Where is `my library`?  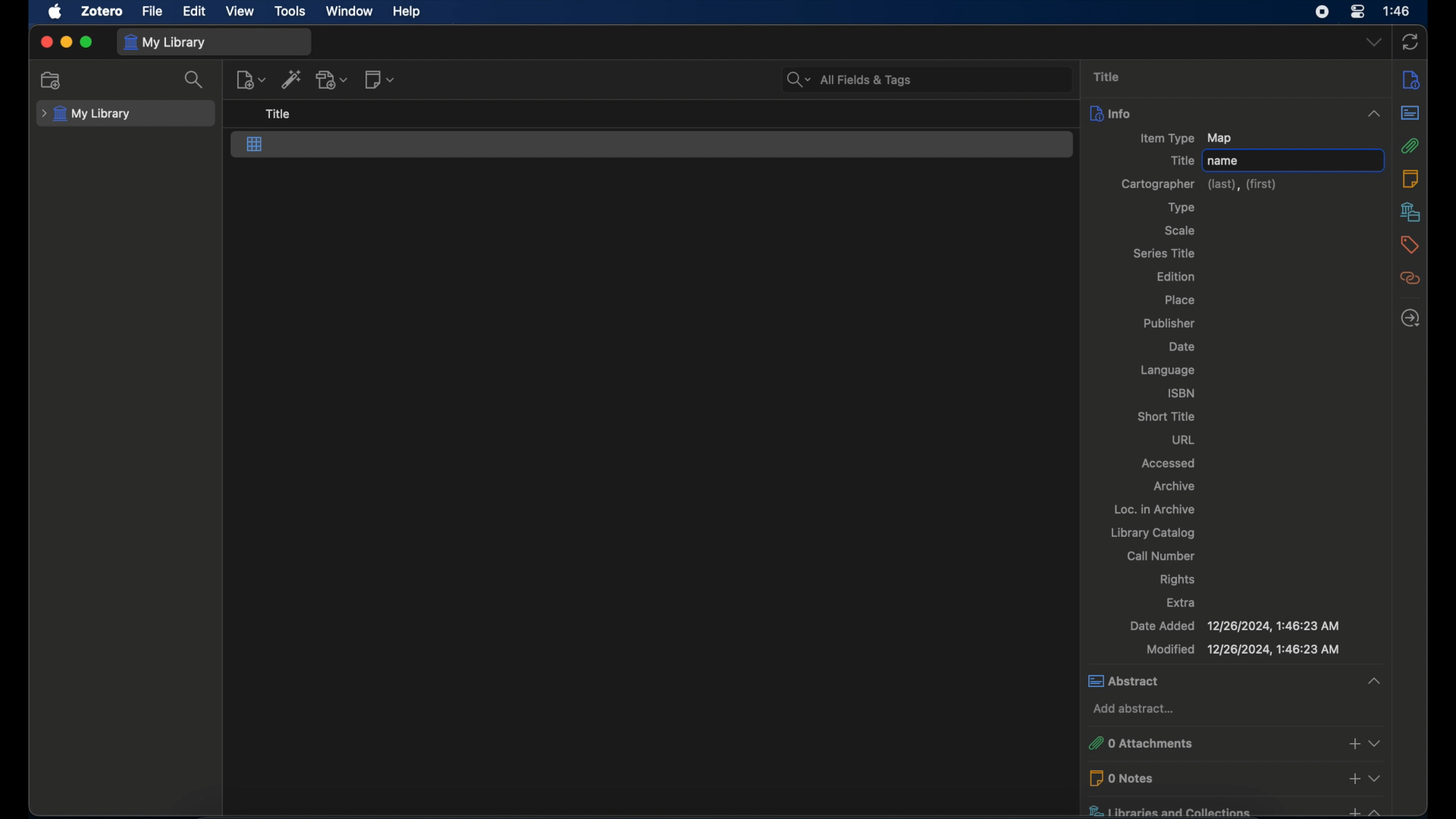
my library is located at coordinates (88, 114).